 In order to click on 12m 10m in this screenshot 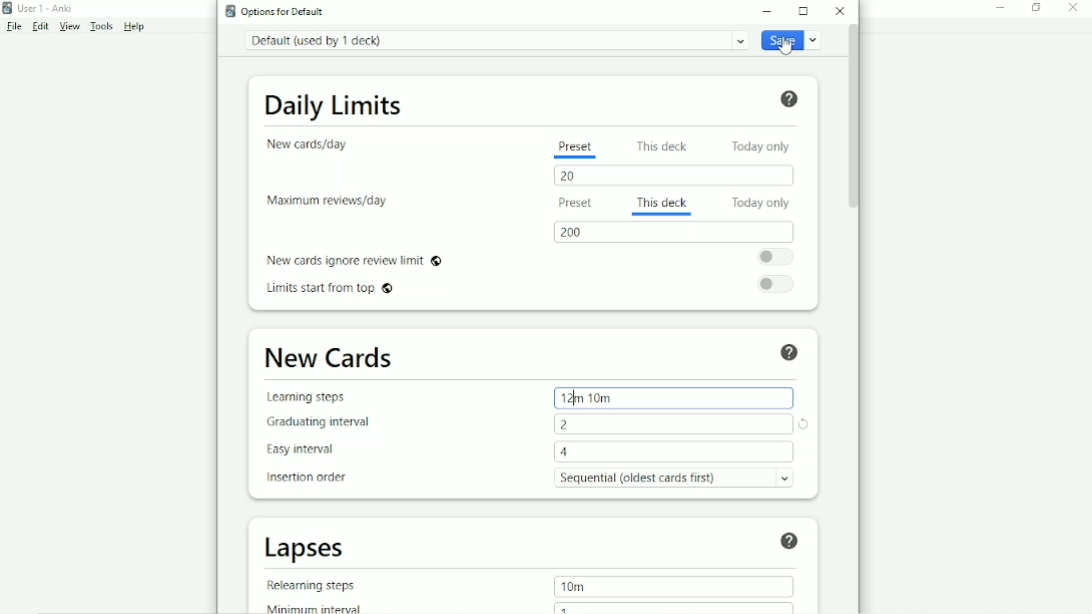, I will do `click(588, 398)`.